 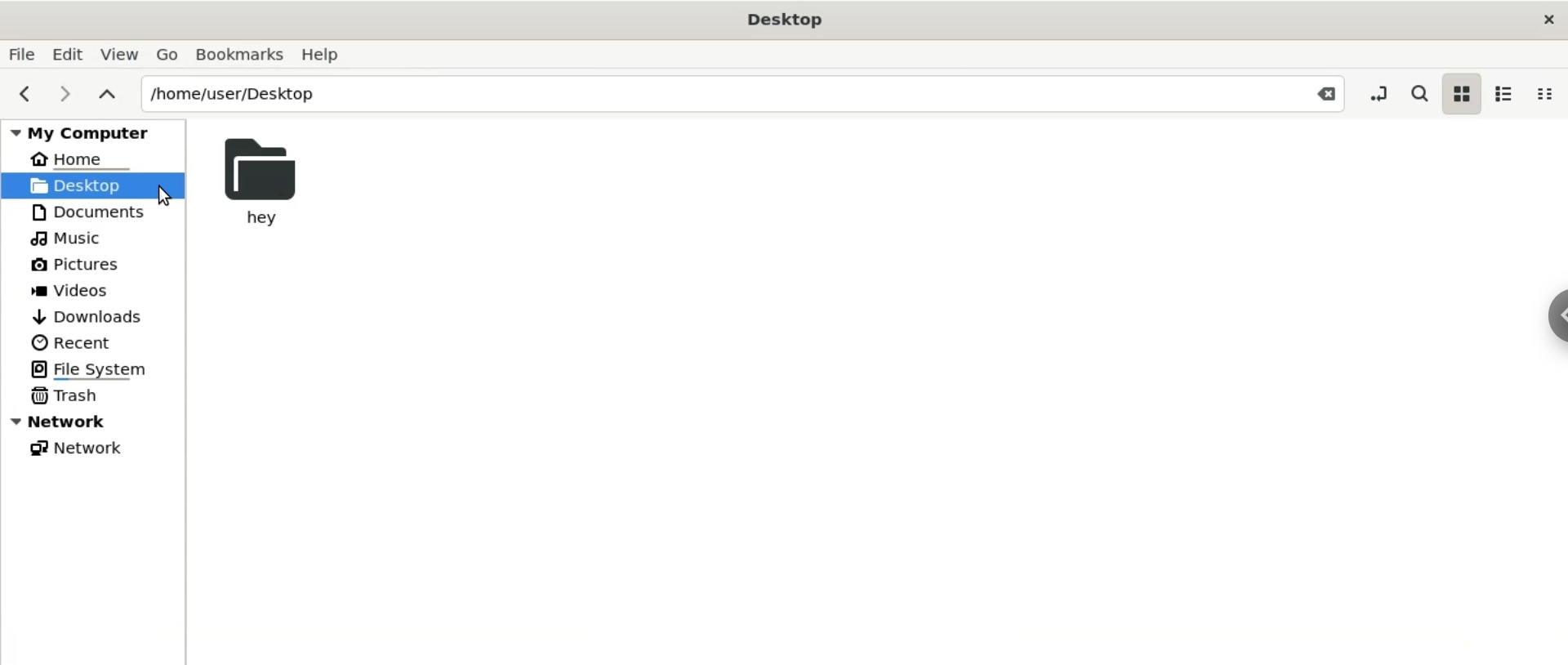 I want to click on search, so click(x=1422, y=92).